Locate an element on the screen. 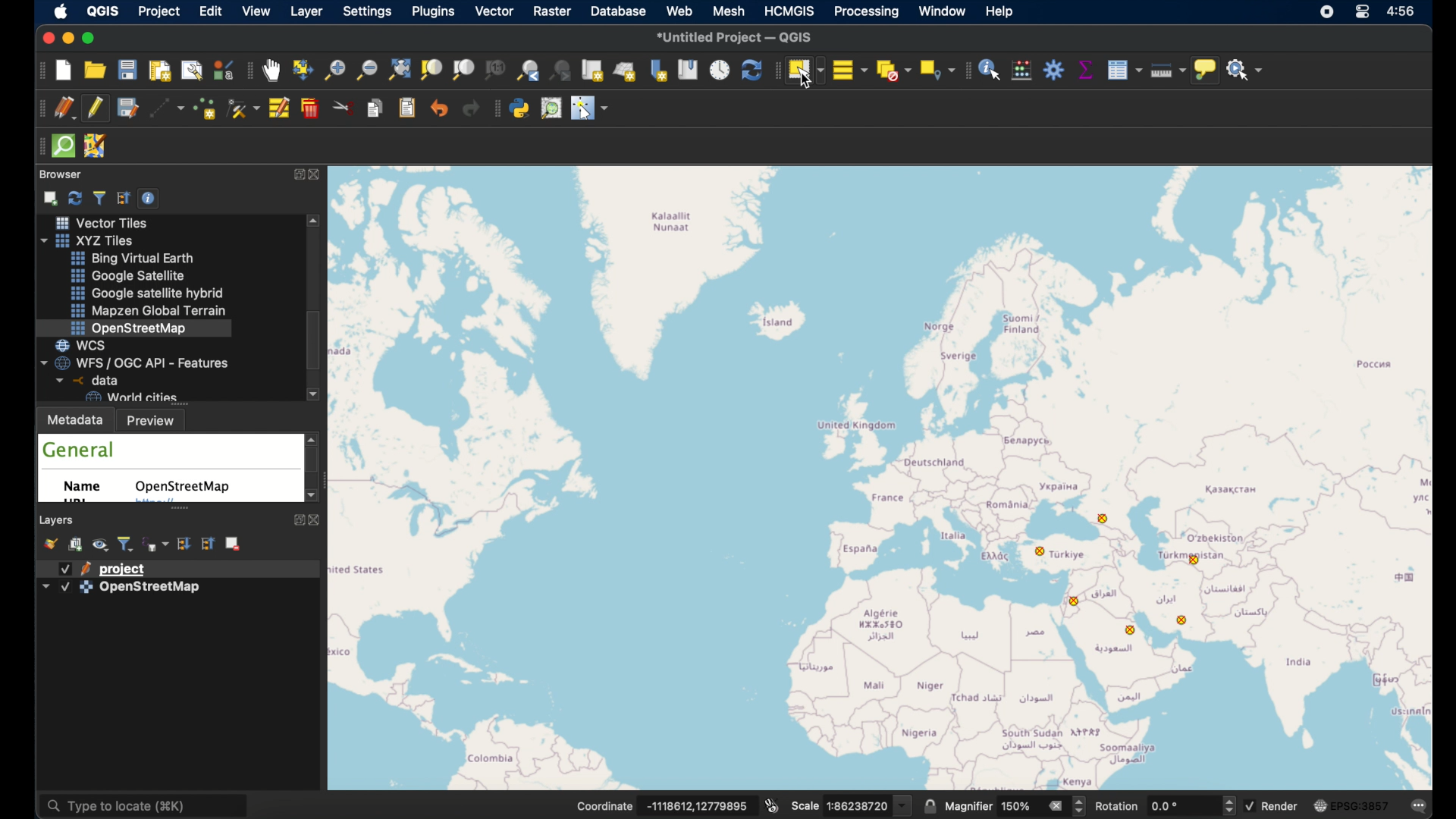 This screenshot has height=819, width=1456. general is located at coordinates (80, 450).